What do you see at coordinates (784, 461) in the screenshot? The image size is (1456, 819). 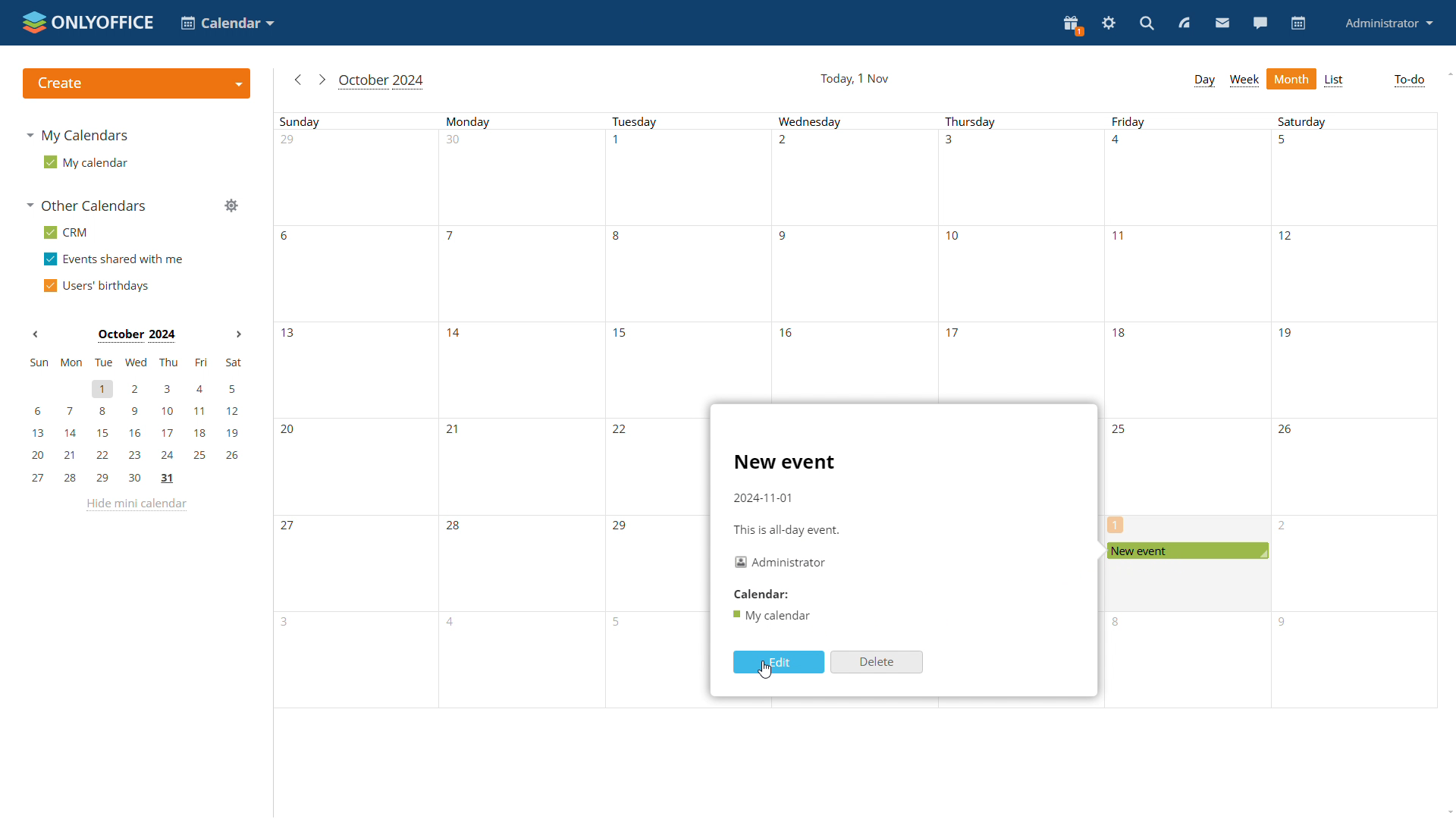 I see `event name` at bounding box center [784, 461].